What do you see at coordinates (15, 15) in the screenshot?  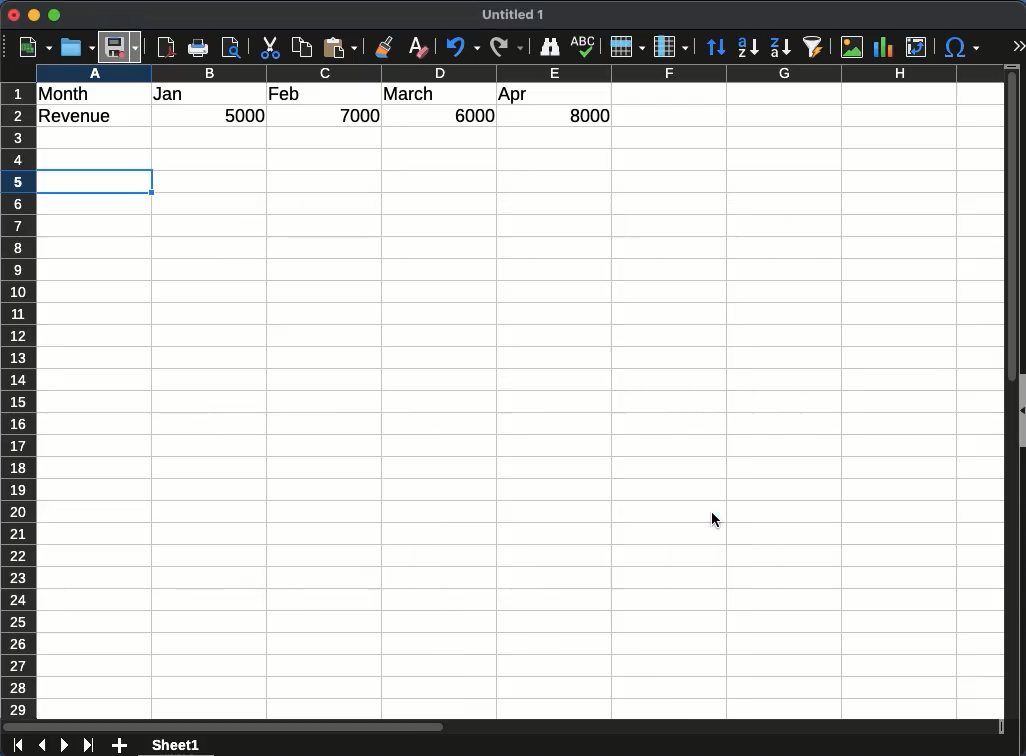 I see `close` at bounding box center [15, 15].